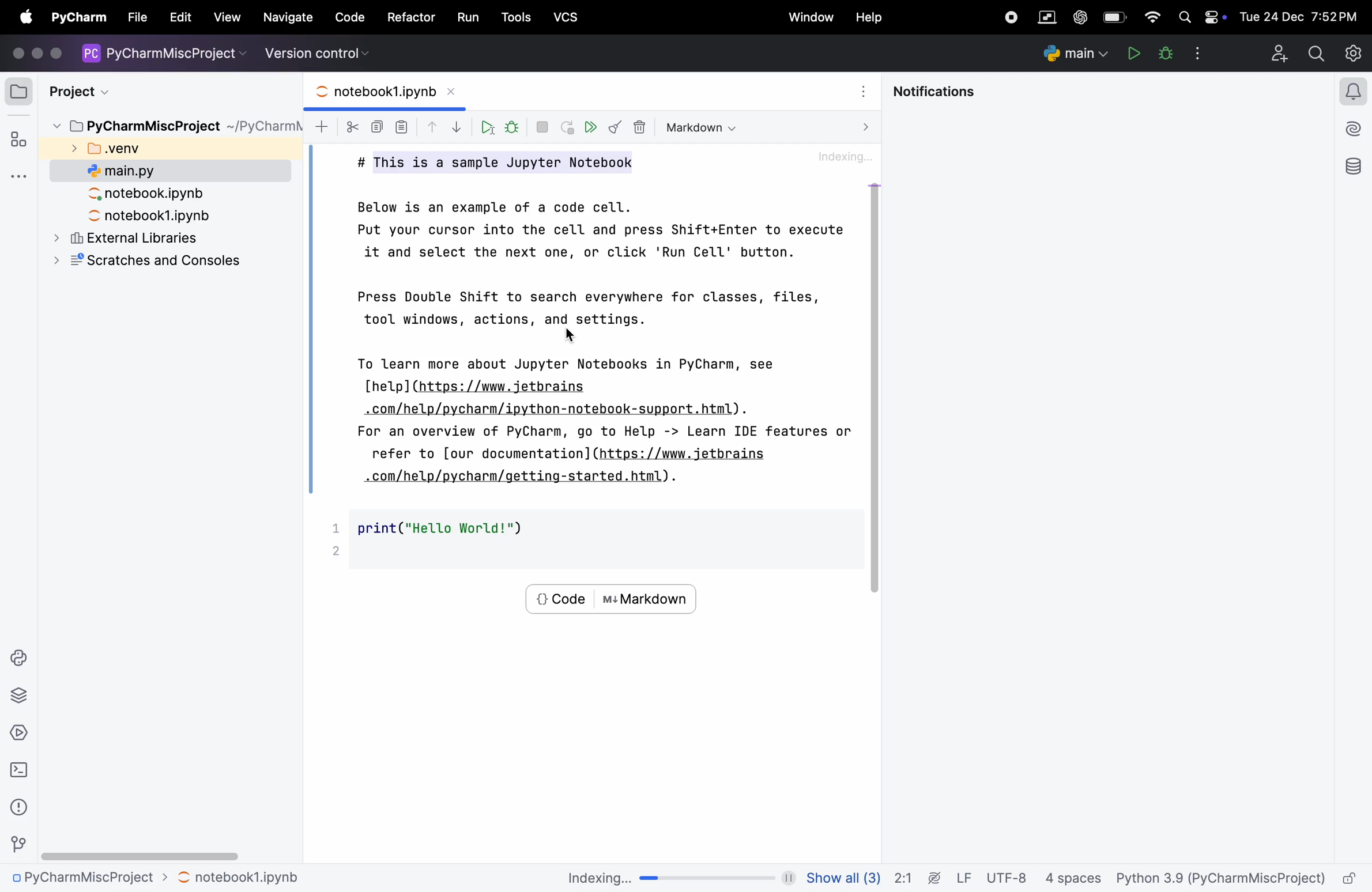 This screenshot has height=892, width=1372. What do you see at coordinates (808, 14) in the screenshot?
I see `window` at bounding box center [808, 14].